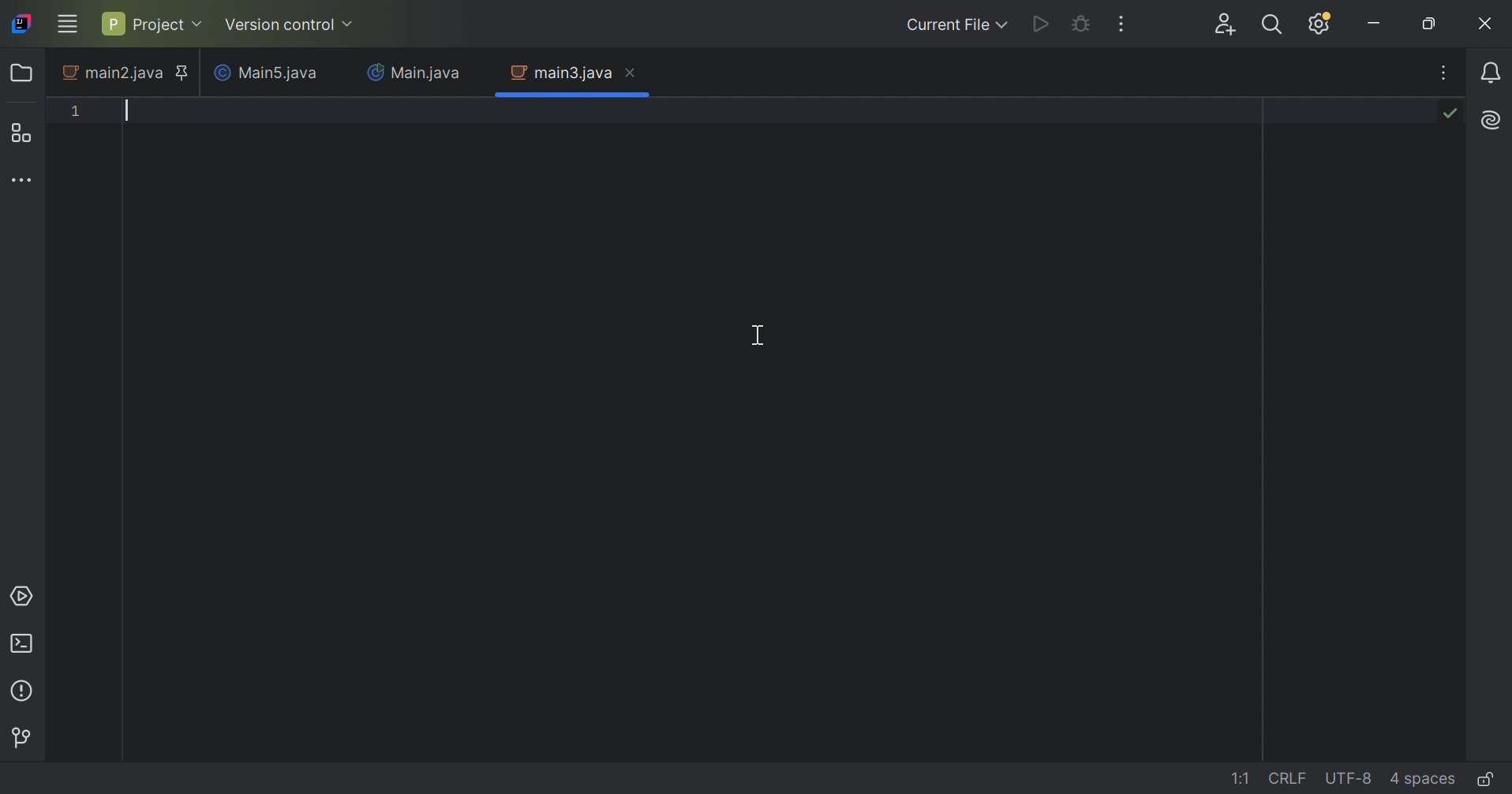 This screenshot has height=794, width=1512. What do you see at coordinates (20, 73) in the screenshot?
I see `Folder icon` at bounding box center [20, 73].